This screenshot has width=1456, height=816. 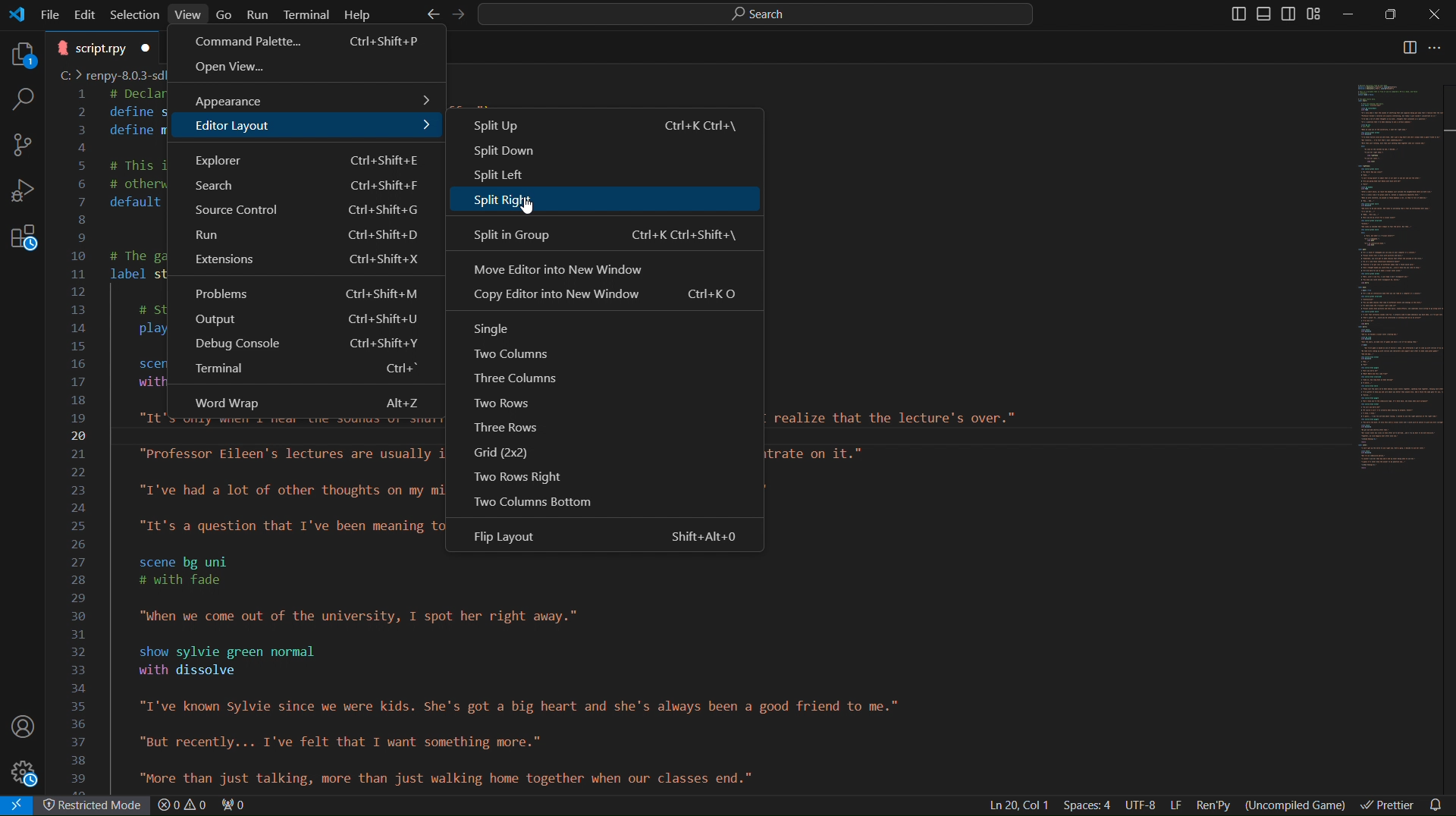 What do you see at coordinates (303, 212) in the screenshot?
I see `Source Control   ctrl+shift+G` at bounding box center [303, 212].